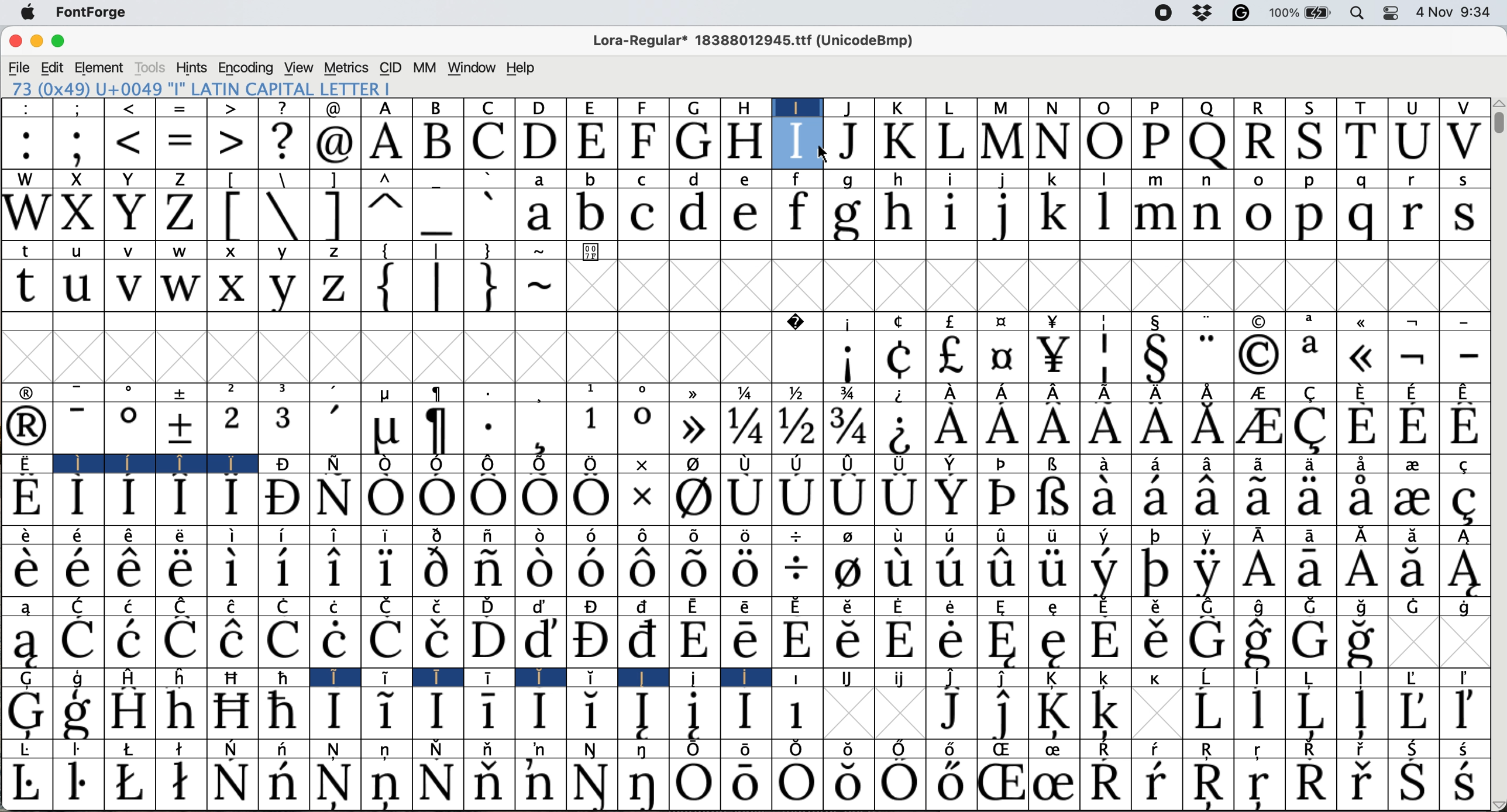 The height and width of the screenshot is (812, 1507). I want to click on Symbol, so click(1004, 677).